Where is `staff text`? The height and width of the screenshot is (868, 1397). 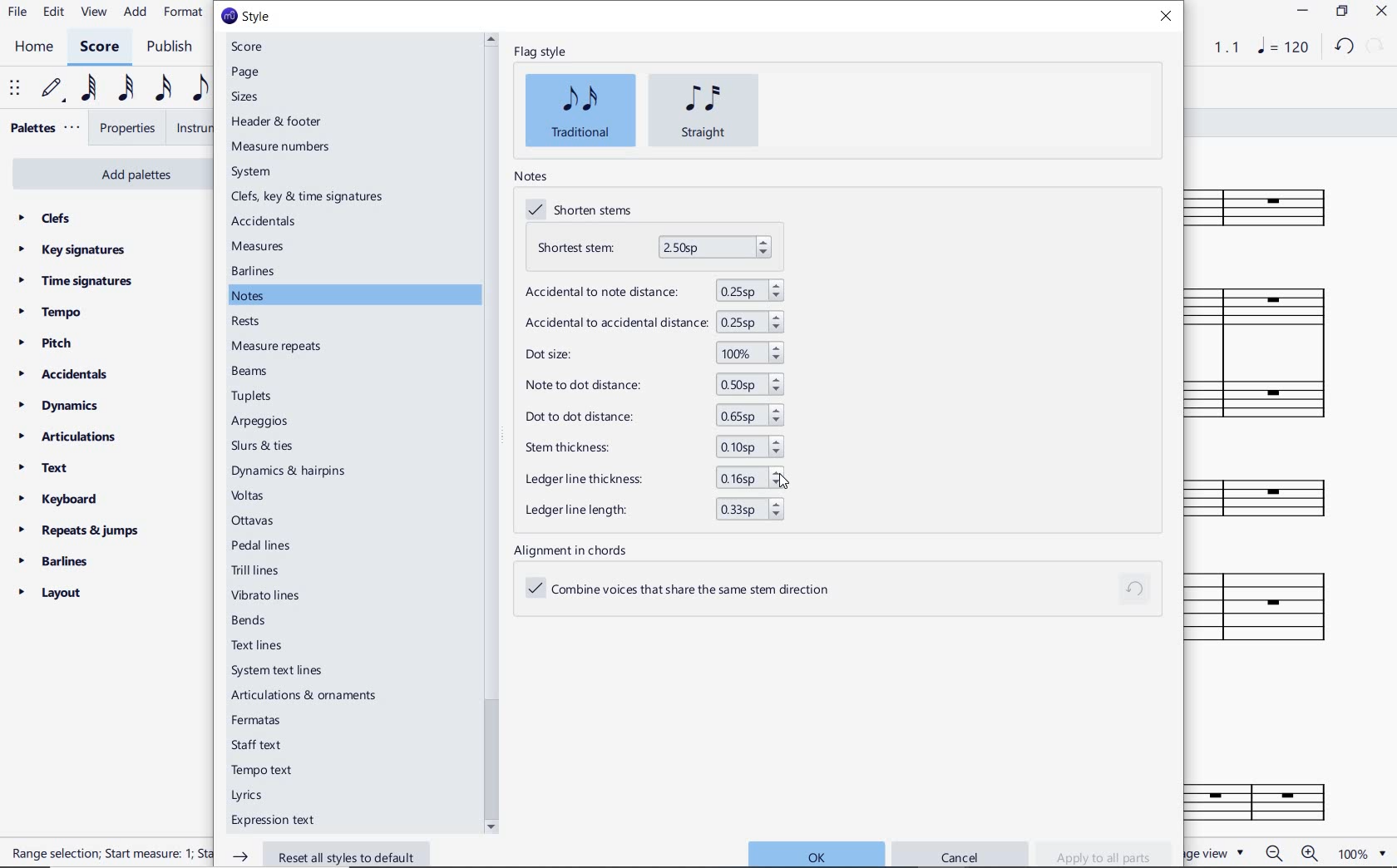 staff text is located at coordinates (259, 743).